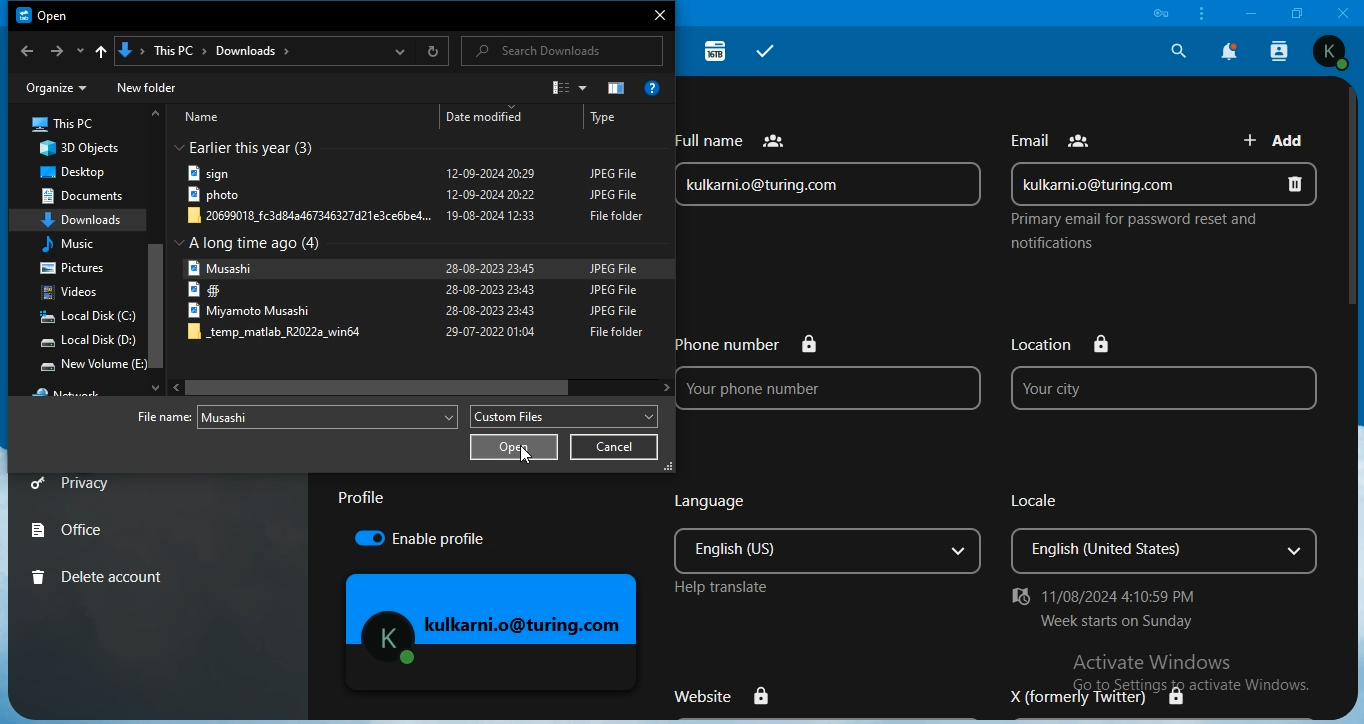  Describe the element at coordinates (1176, 50) in the screenshot. I see `search` at that location.